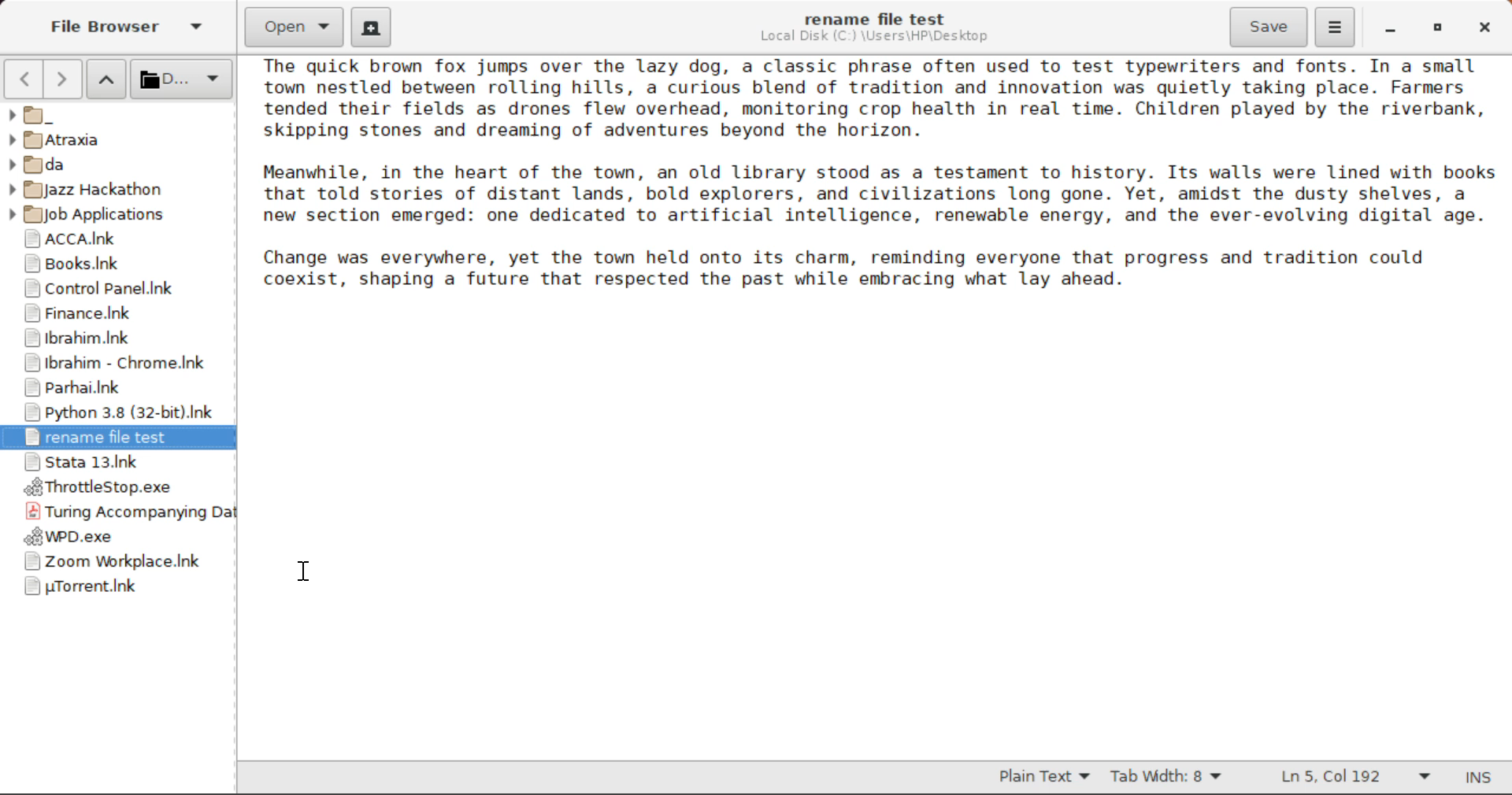 The width and height of the screenshot is (1512, 795). What do you see at coordinates (877, 38) in the screenshot?
I see `File Location` at bounding box center [877, 38].